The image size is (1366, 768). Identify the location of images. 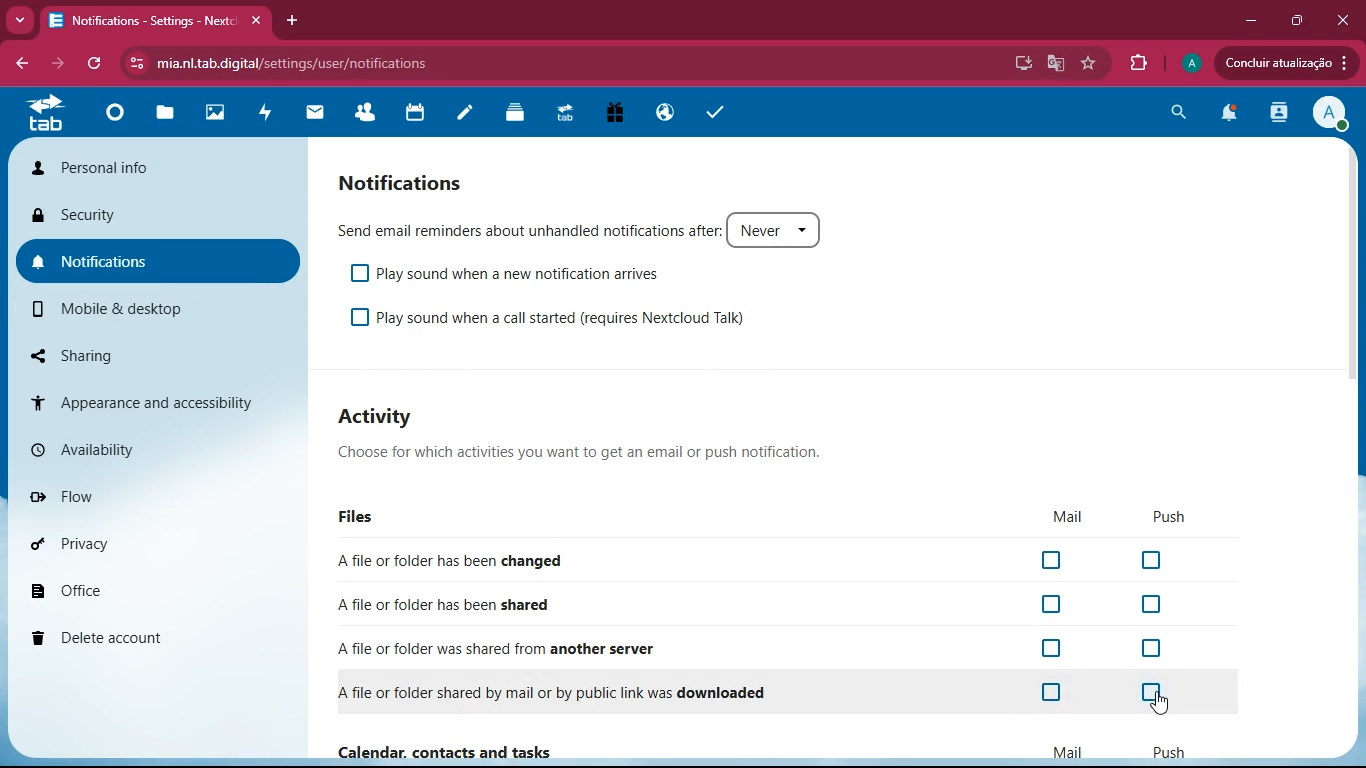
(214, 116).